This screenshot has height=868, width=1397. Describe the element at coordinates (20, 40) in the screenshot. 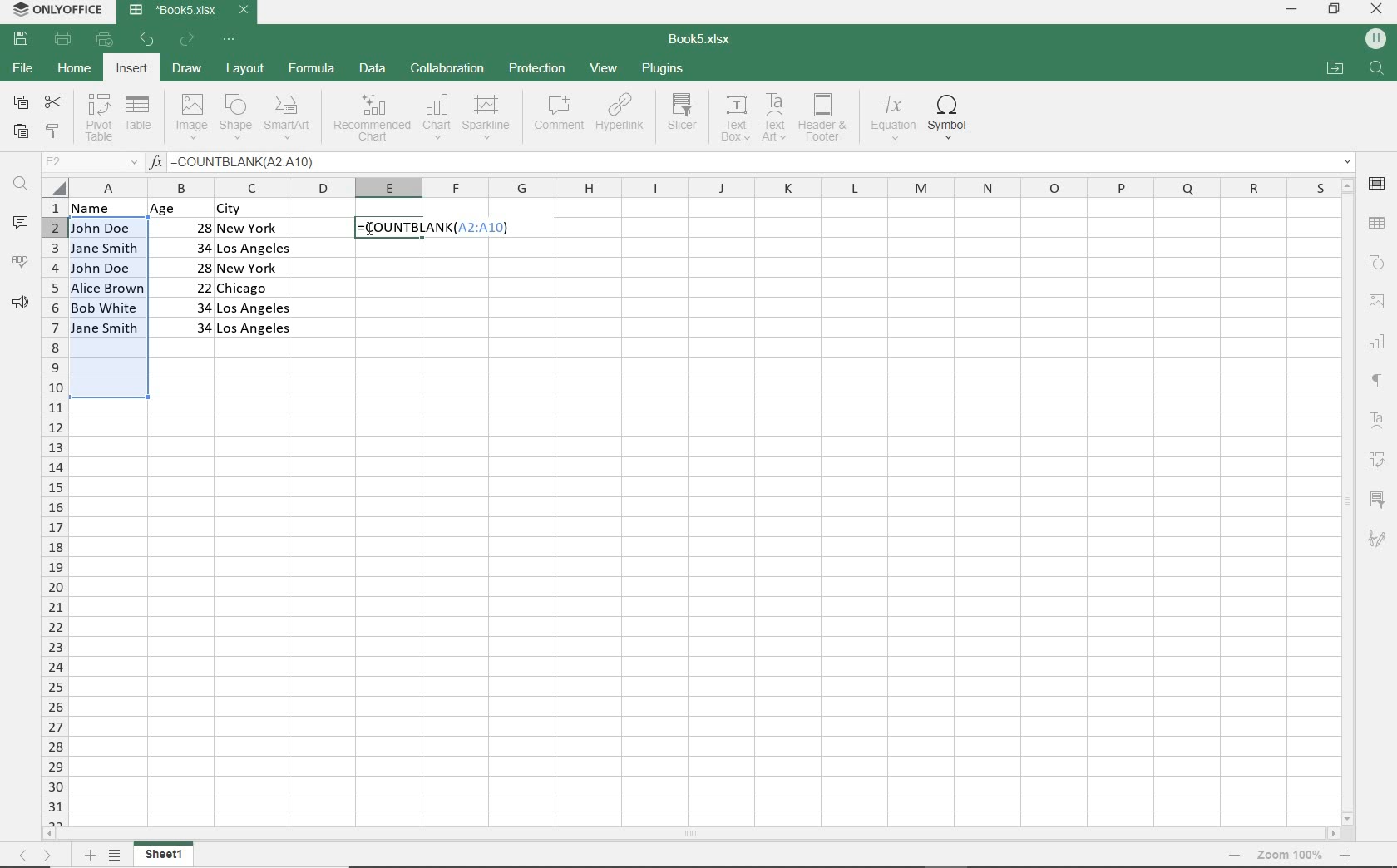

I see `SAVE` at that location.